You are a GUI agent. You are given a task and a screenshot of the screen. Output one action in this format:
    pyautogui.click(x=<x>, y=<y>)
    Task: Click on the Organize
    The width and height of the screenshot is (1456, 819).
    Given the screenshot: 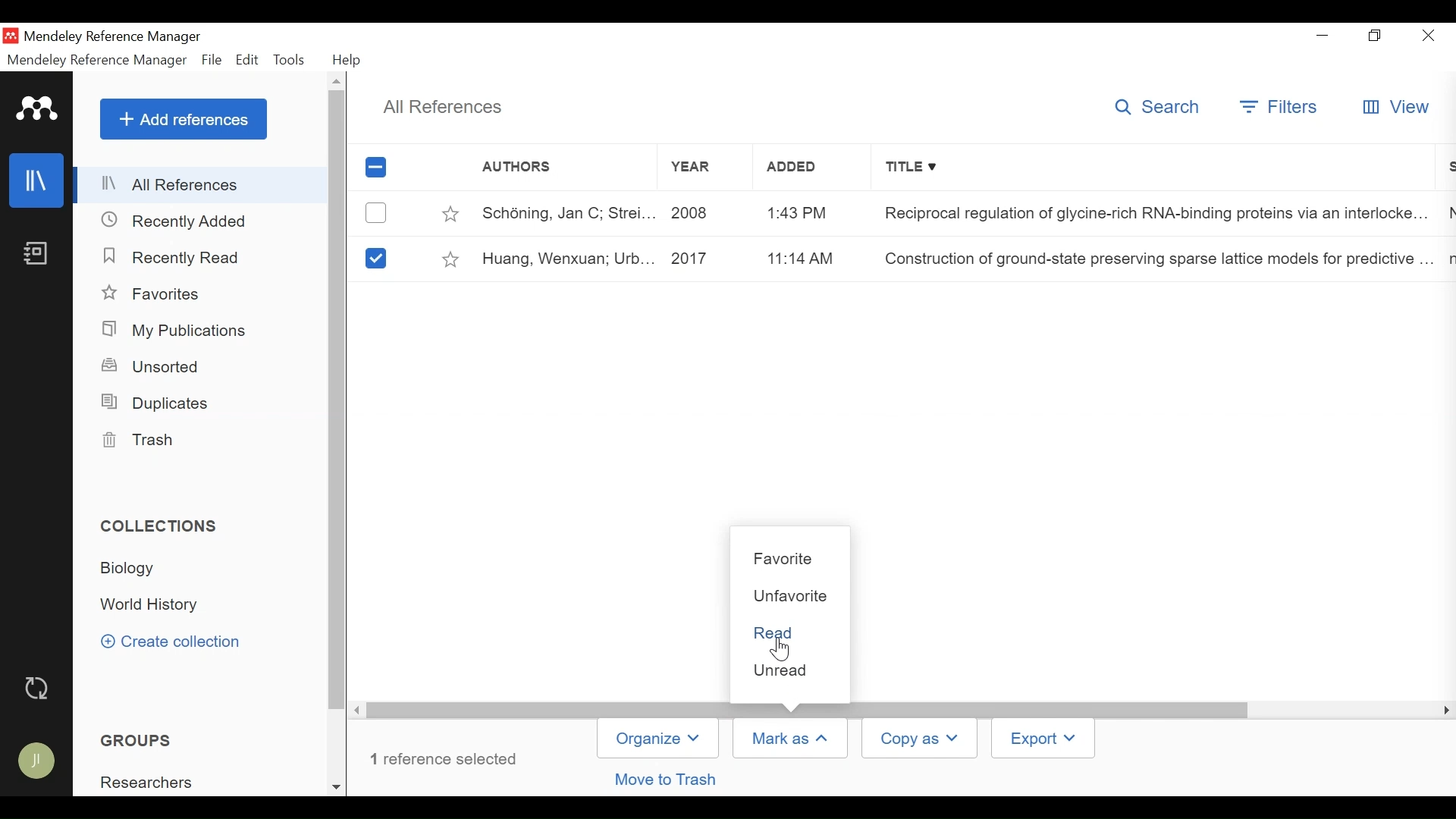 What is the action you would take?
    pyautogui.click(x=658, y=738)
    